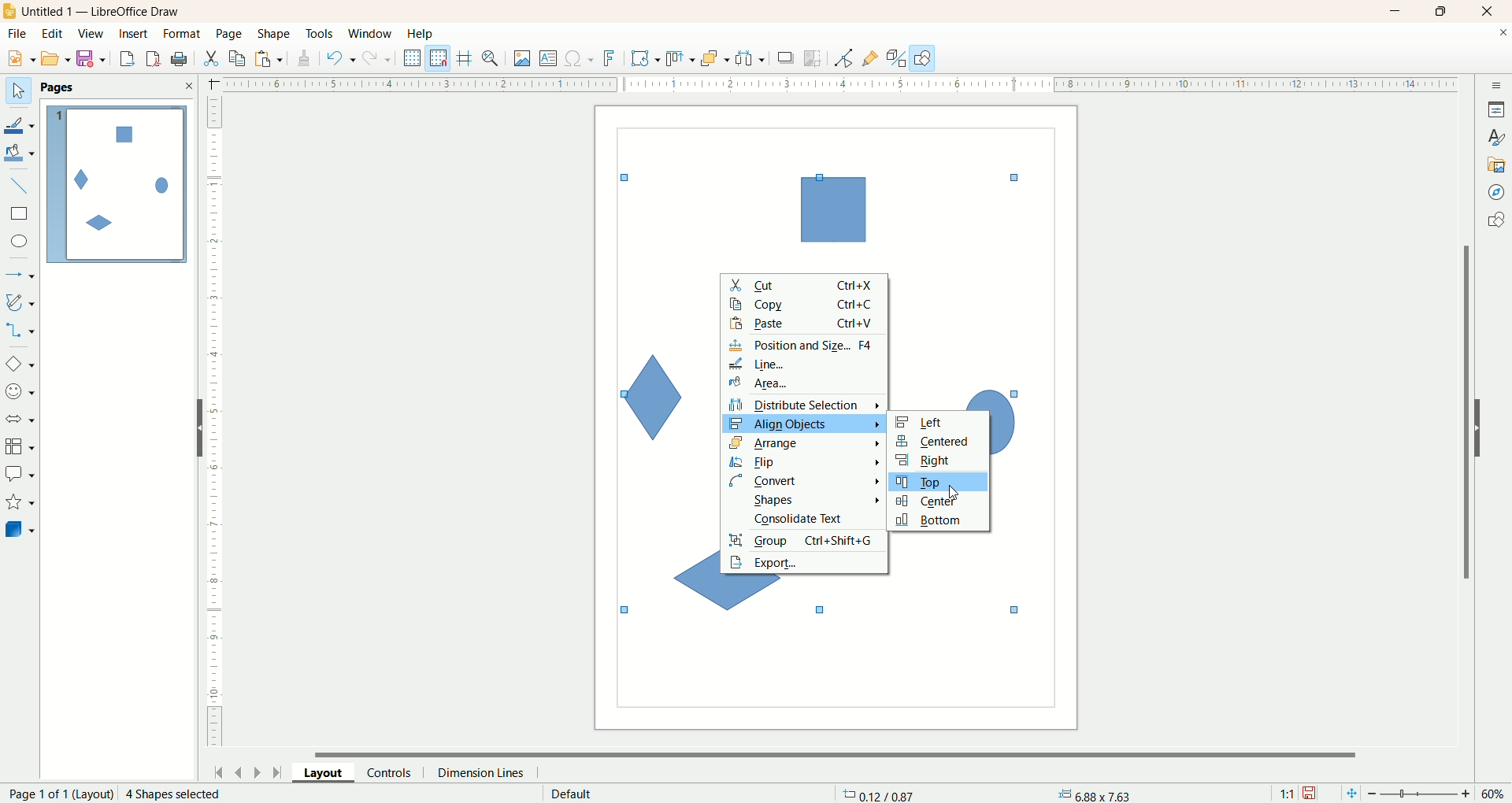 This screenshot has width=1512, height=803. What do you see at coordinates (1442, 11) in the screenshot?
I see `maximize` at bounding box center [1442, 11].